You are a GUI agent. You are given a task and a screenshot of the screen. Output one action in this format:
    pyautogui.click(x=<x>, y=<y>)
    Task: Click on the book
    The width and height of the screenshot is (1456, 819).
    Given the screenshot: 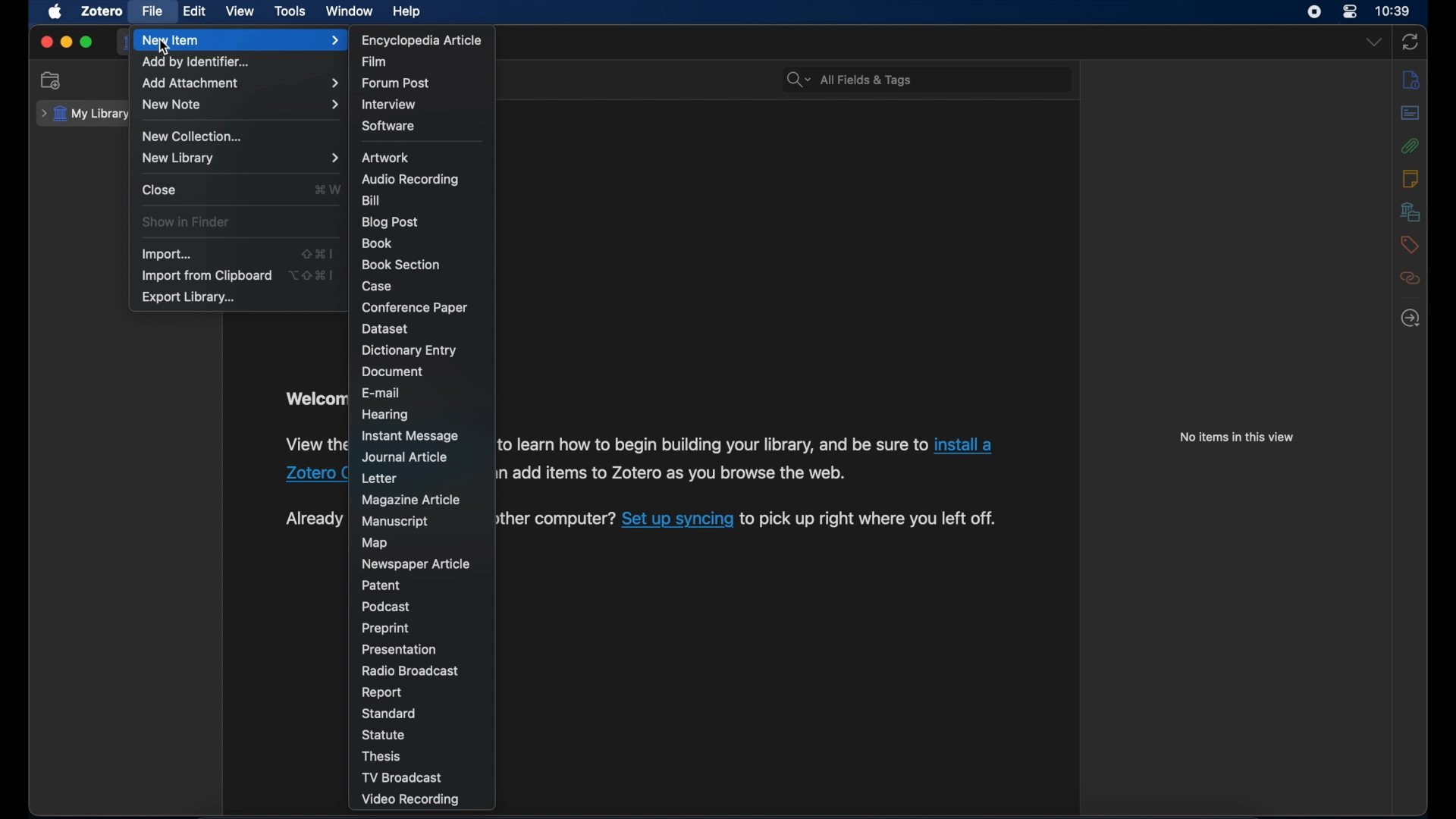 What is the action you would take?
    pyautogui.click(x=379, y=243)
    